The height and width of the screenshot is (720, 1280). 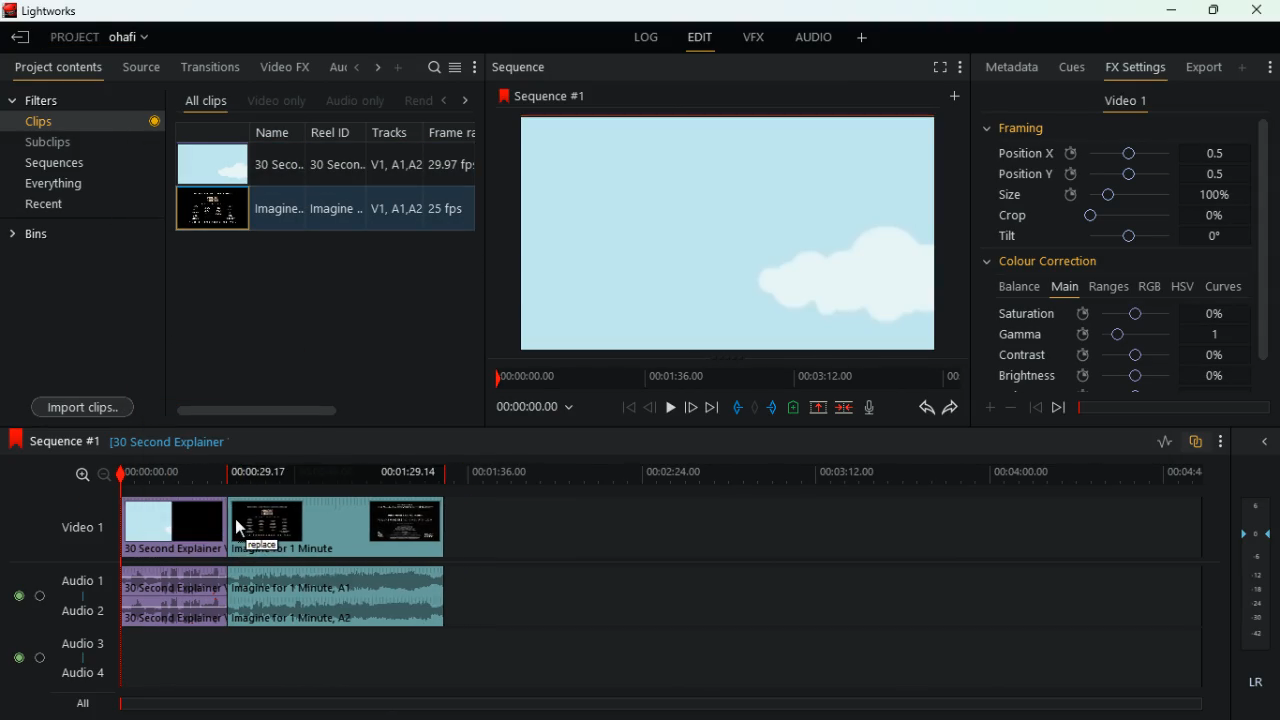 I want to click on subclips, so click(x=82, y=141).